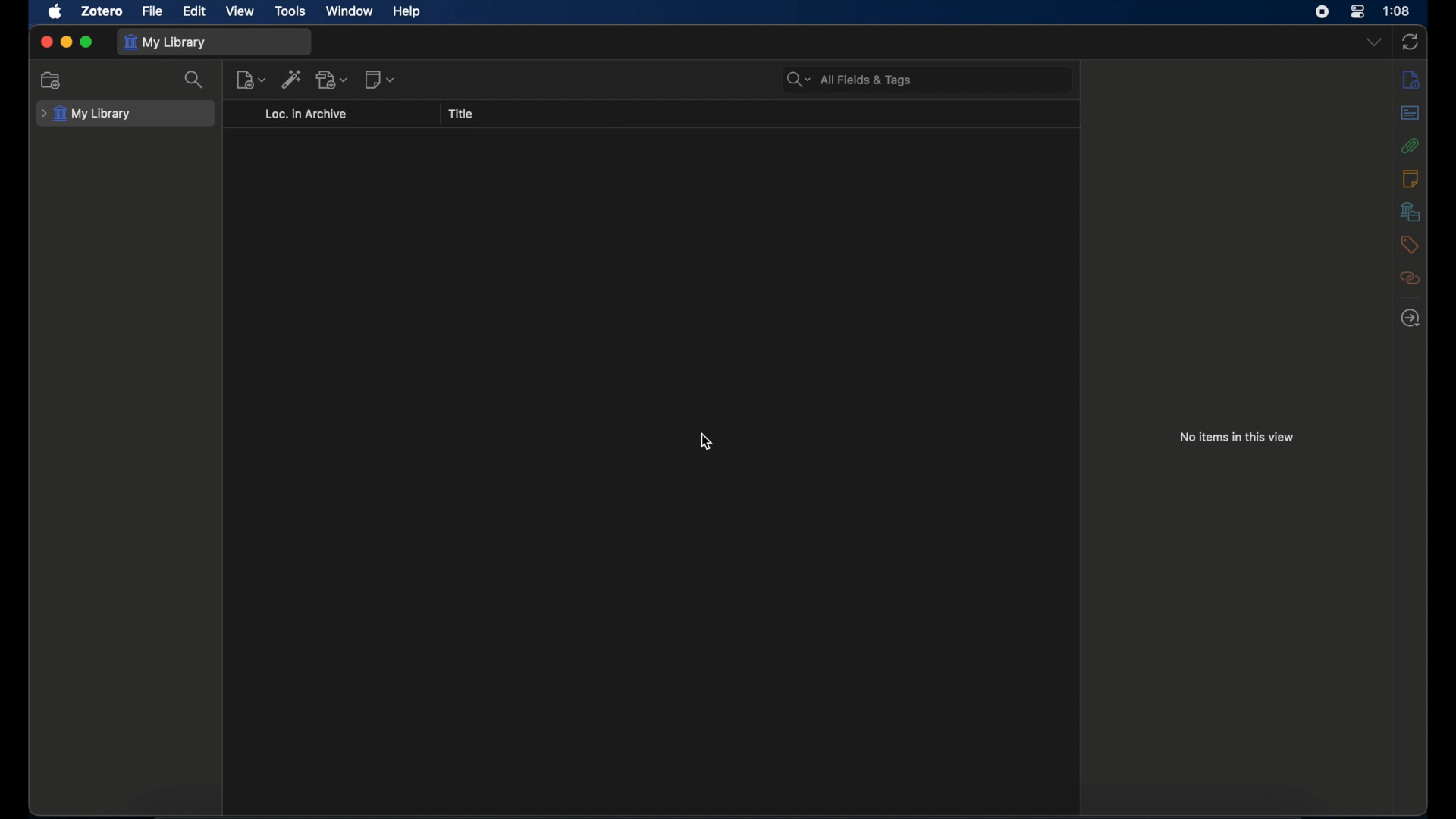 The width and height of the screenshot is (1456, 819). I want to click on new notes, so click(381, 80).